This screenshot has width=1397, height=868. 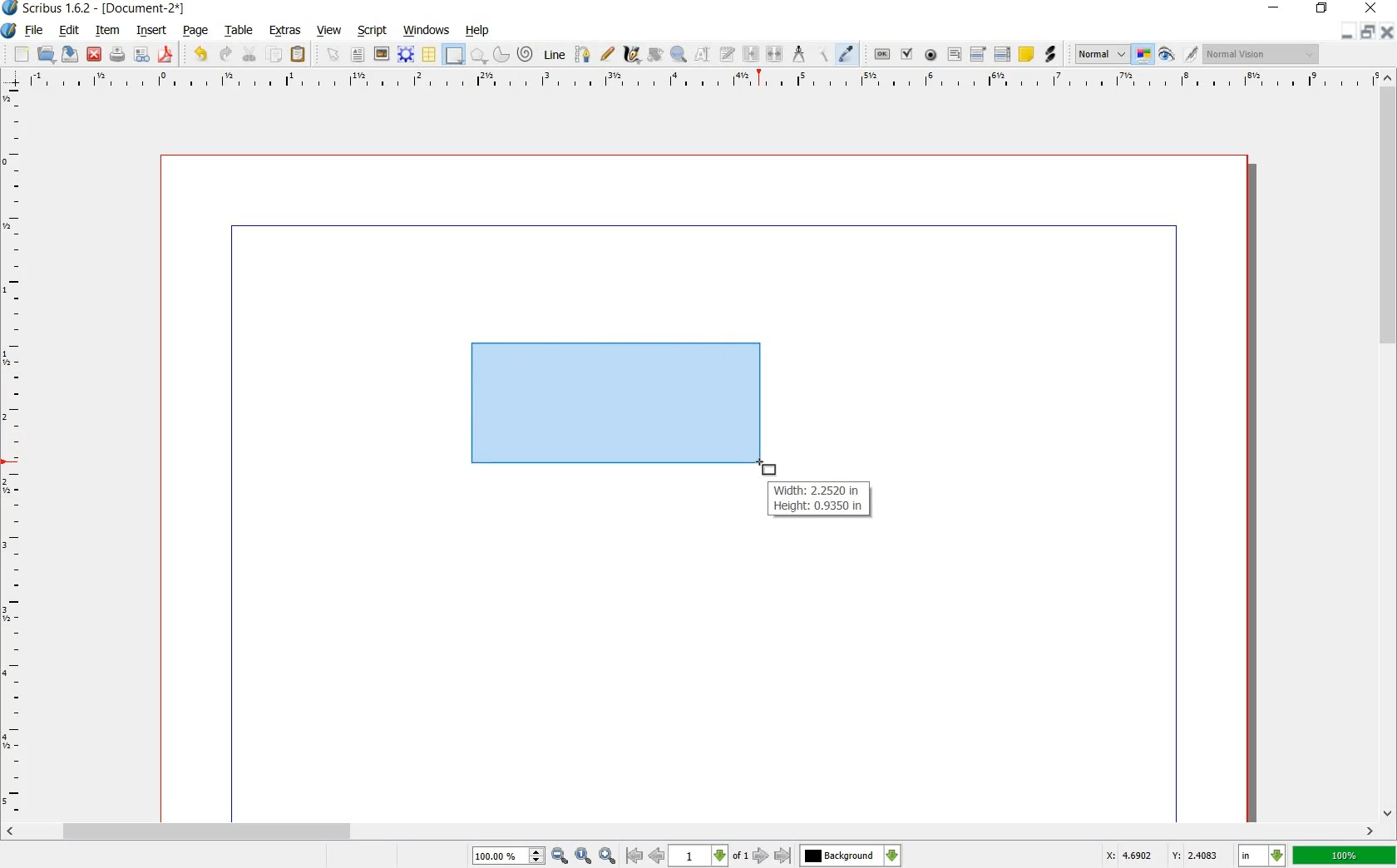 What do you see at coordinates (680, 52) in the screenshot?
I see `ZOOM IN OR OUT` at bounding box center [680, 52].